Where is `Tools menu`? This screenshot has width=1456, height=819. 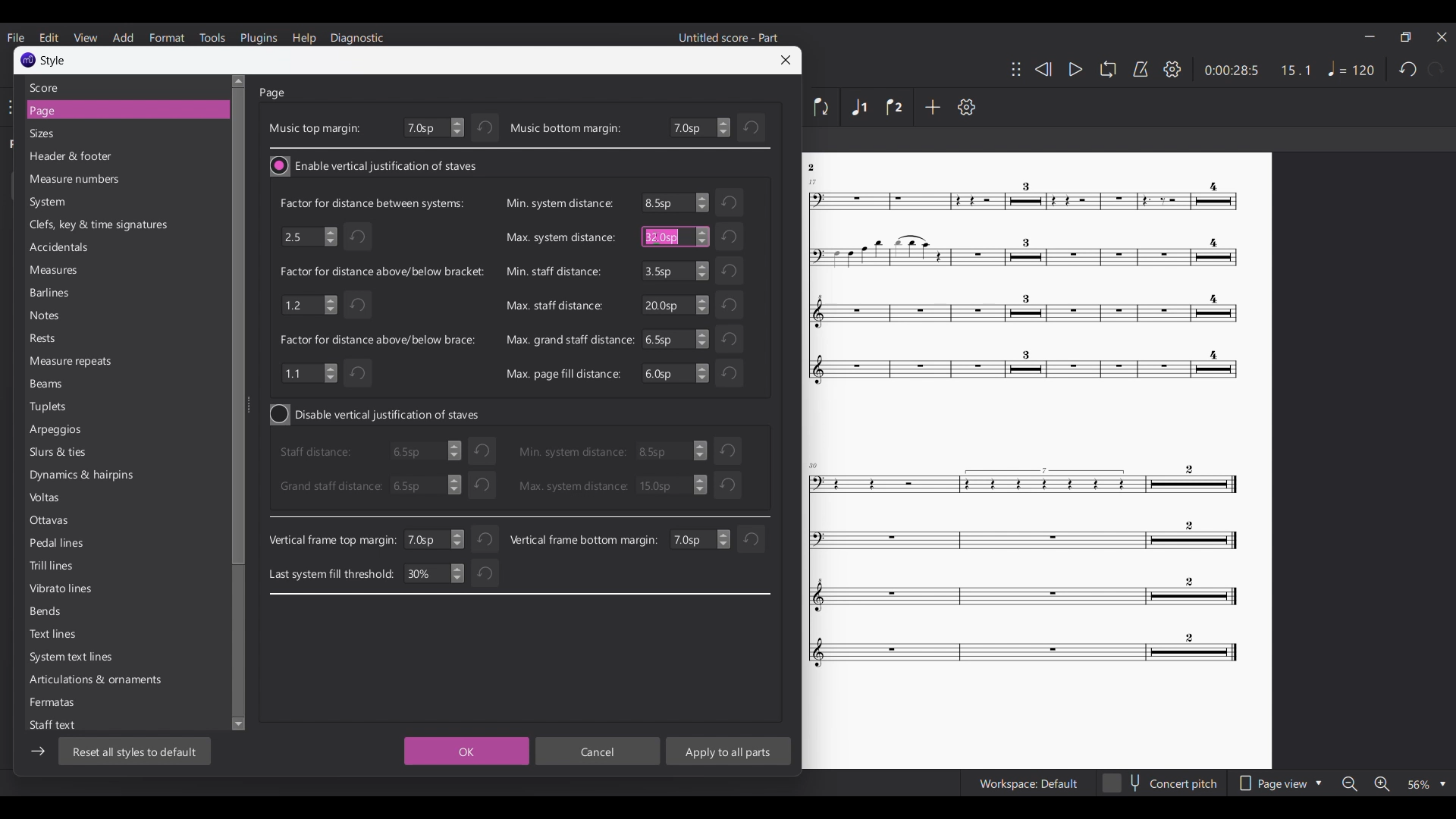 Tools menu is located at coordinates (212, 37).